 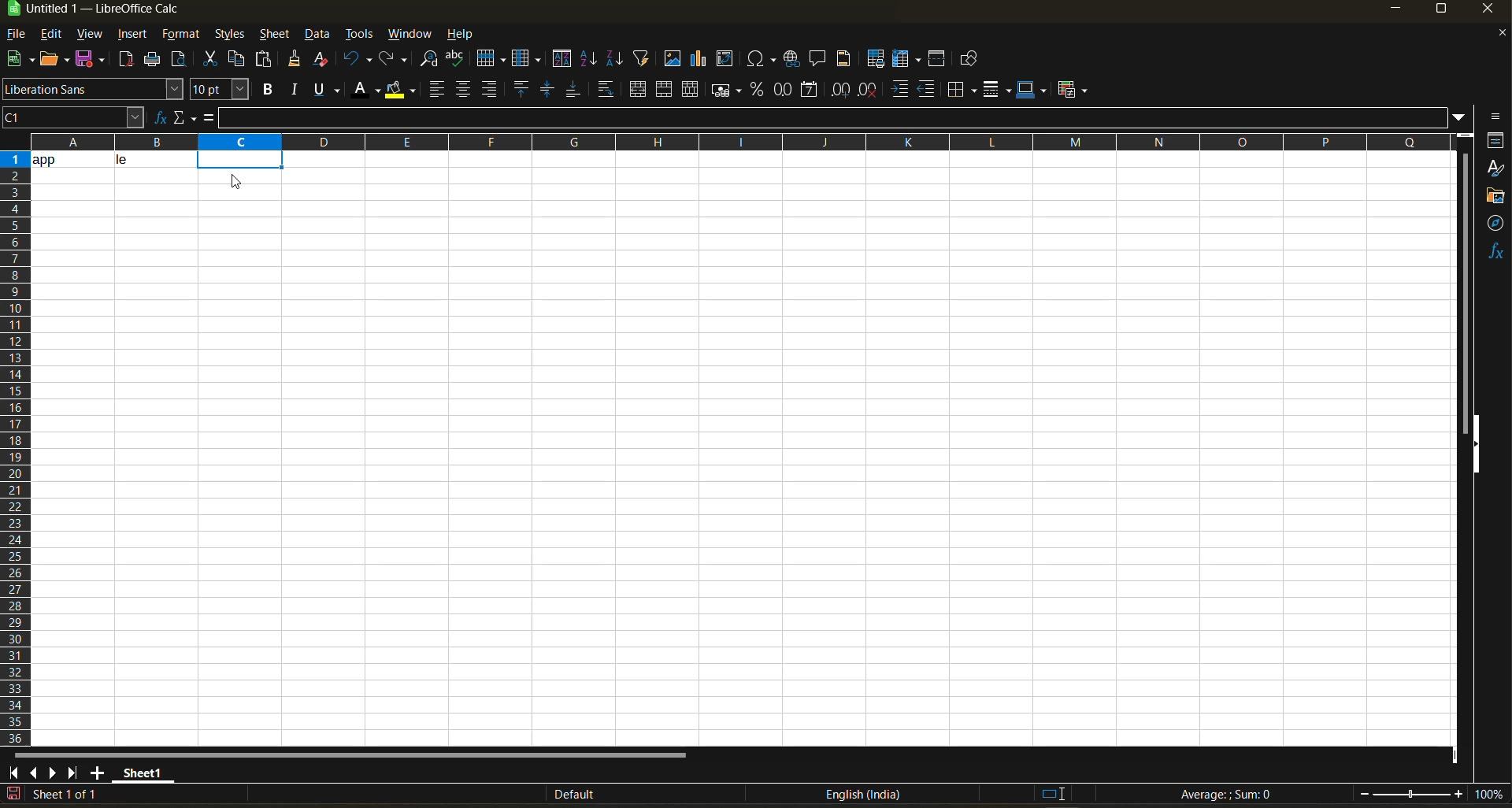 What do you see at coordinates (51, 32) in the screenshot?
I see `edit` at bounding box center [51, 32].